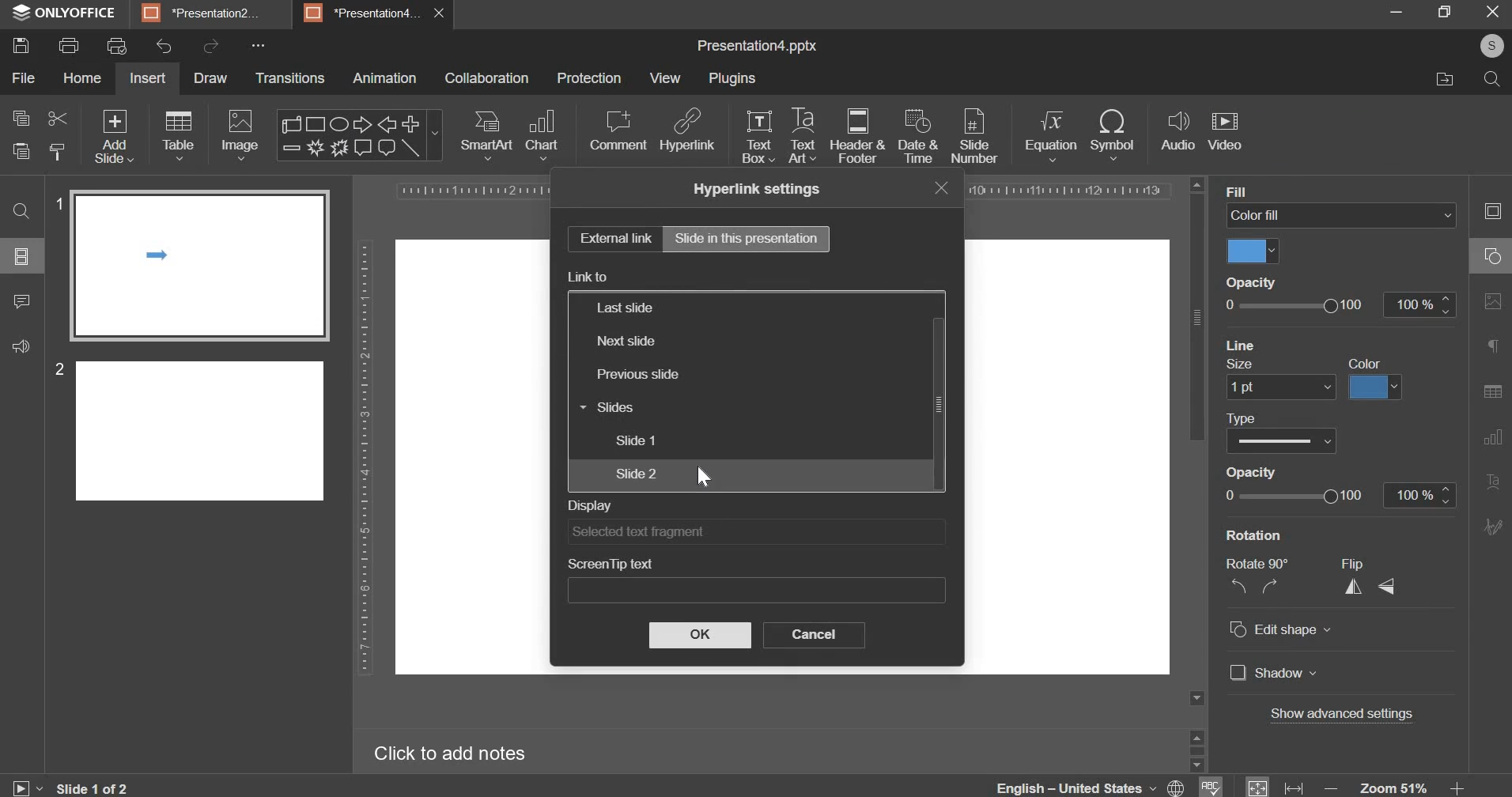  What do you see at coordinates (800, 136) in the screenshot?
I see `text art` at bounding box center [800, 136].